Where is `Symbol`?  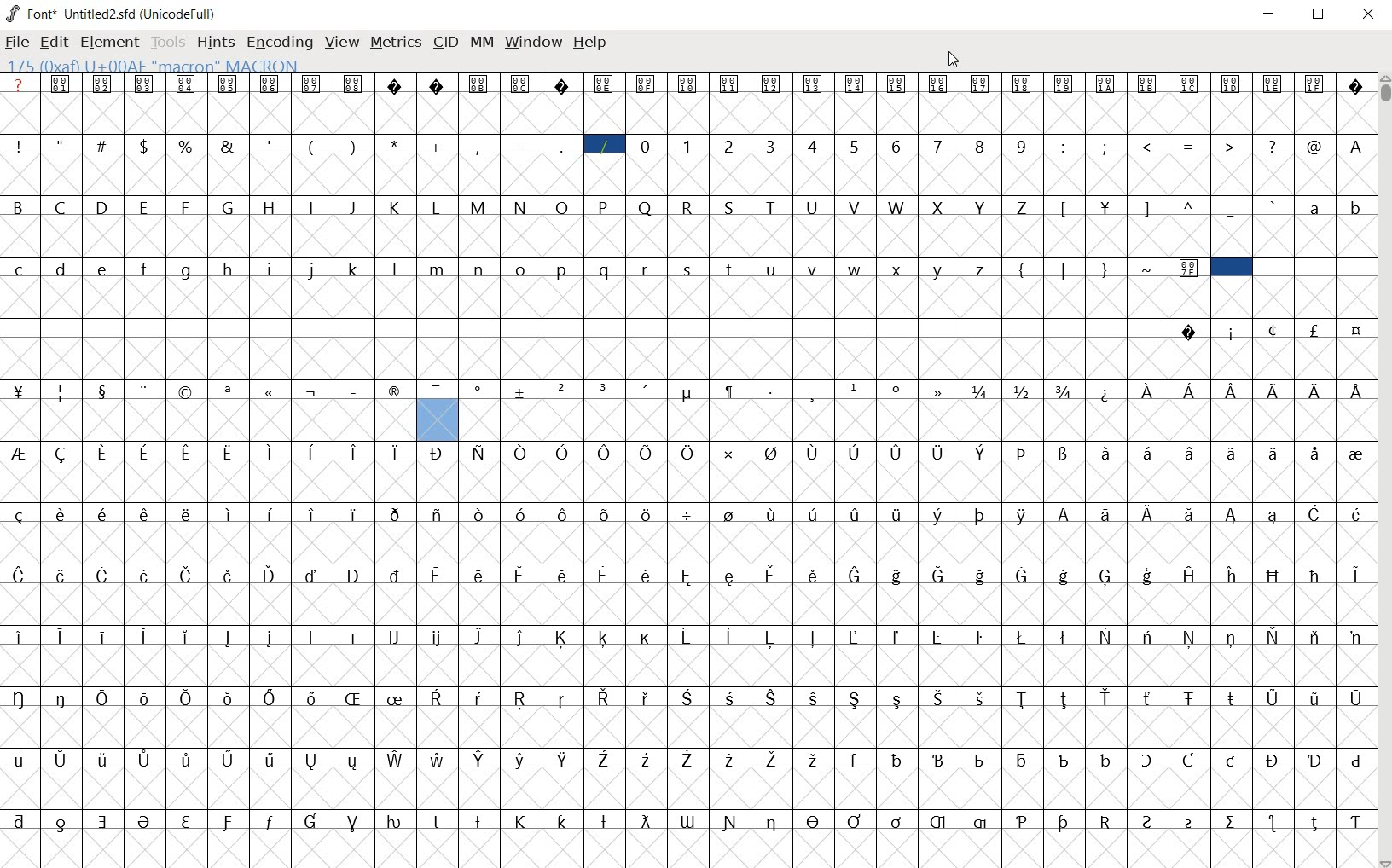
Symbol is located at coordinates (899, 391).